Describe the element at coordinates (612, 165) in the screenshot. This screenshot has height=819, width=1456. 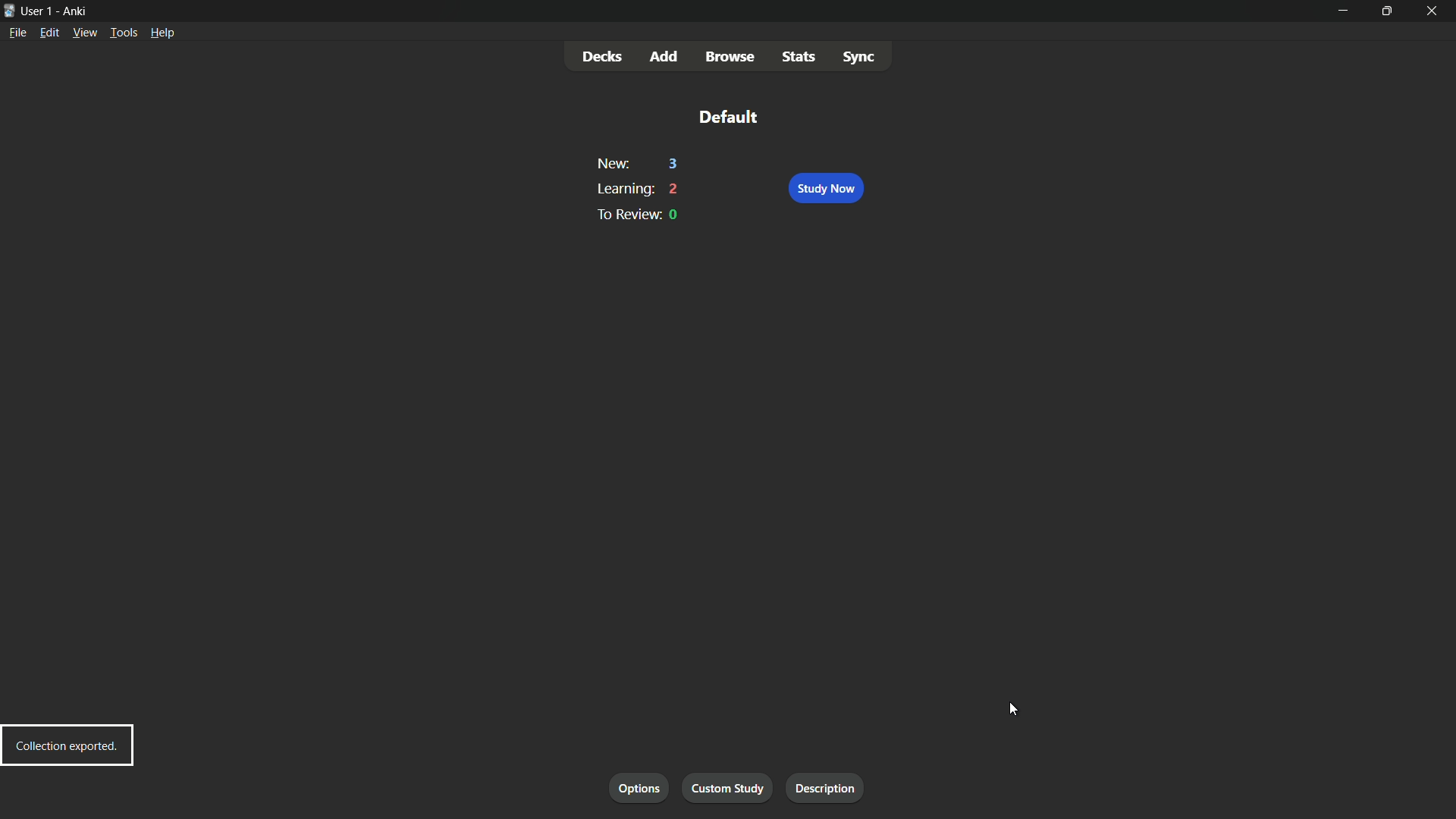
I see `new` at that location.